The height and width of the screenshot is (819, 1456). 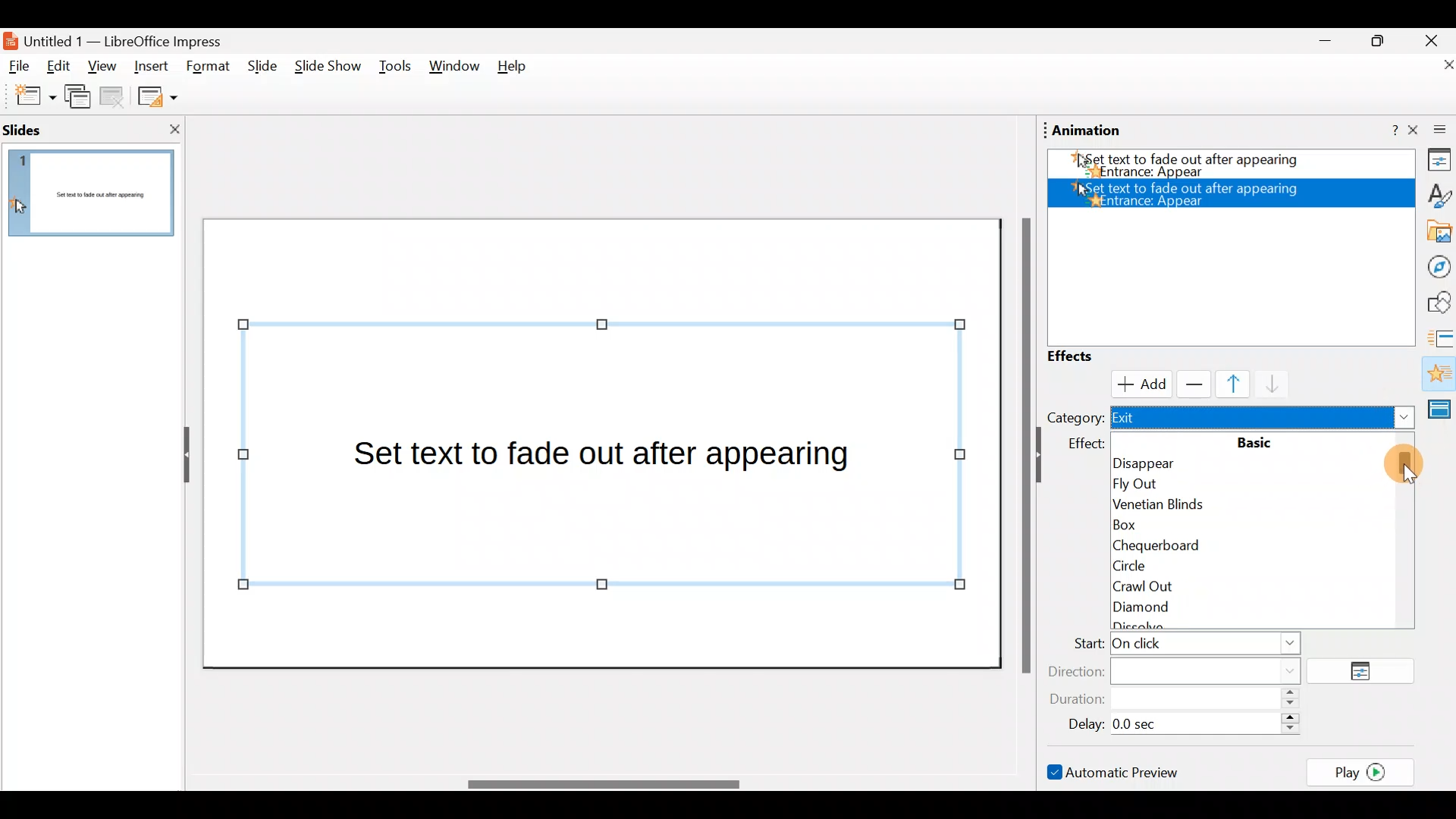 What do you see at coordinates (1323, 45) in the screenshot?
I see `Minimise` at bounding box center [1323, 45].